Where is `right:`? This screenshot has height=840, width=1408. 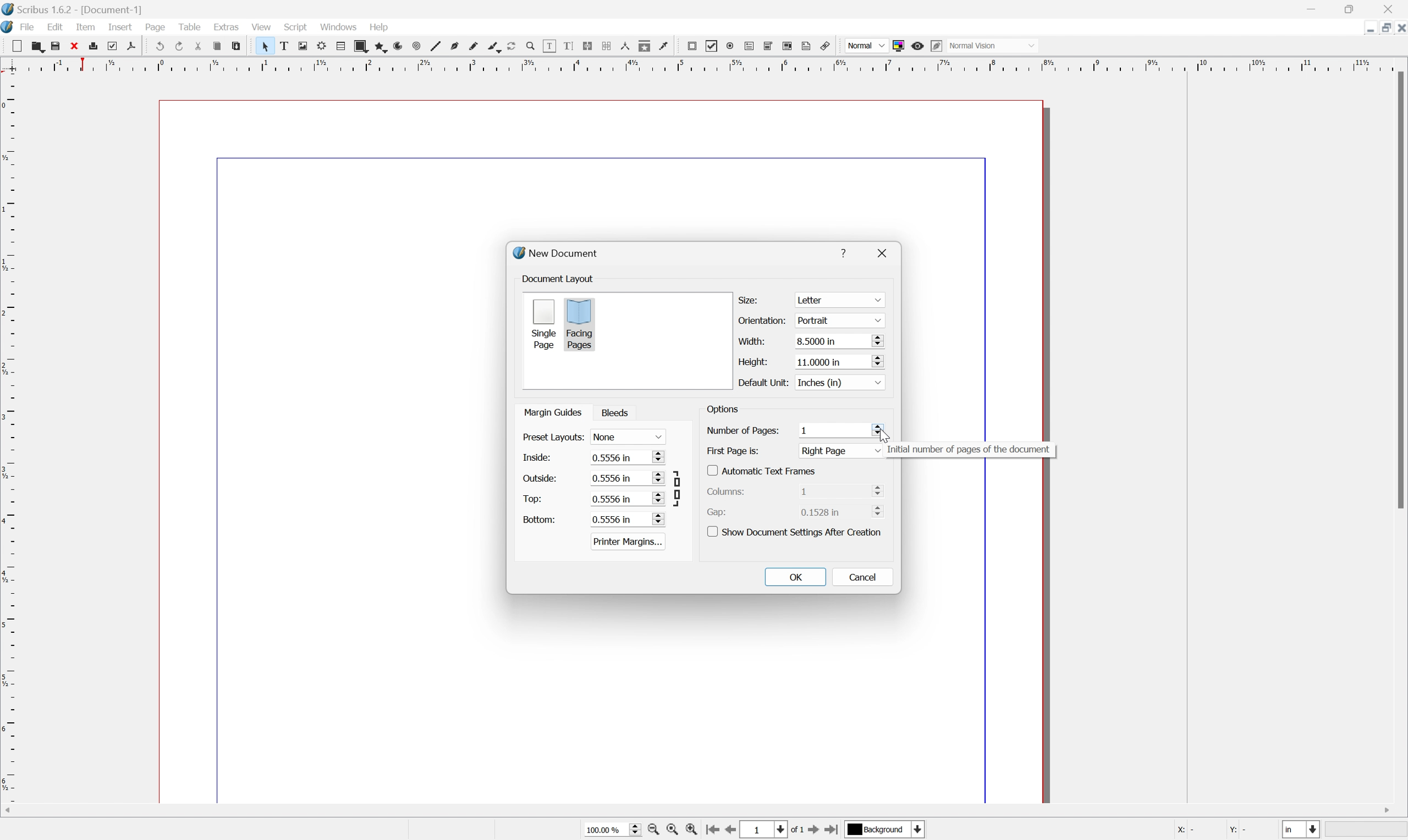
right: is located at coordinates (536, 477).